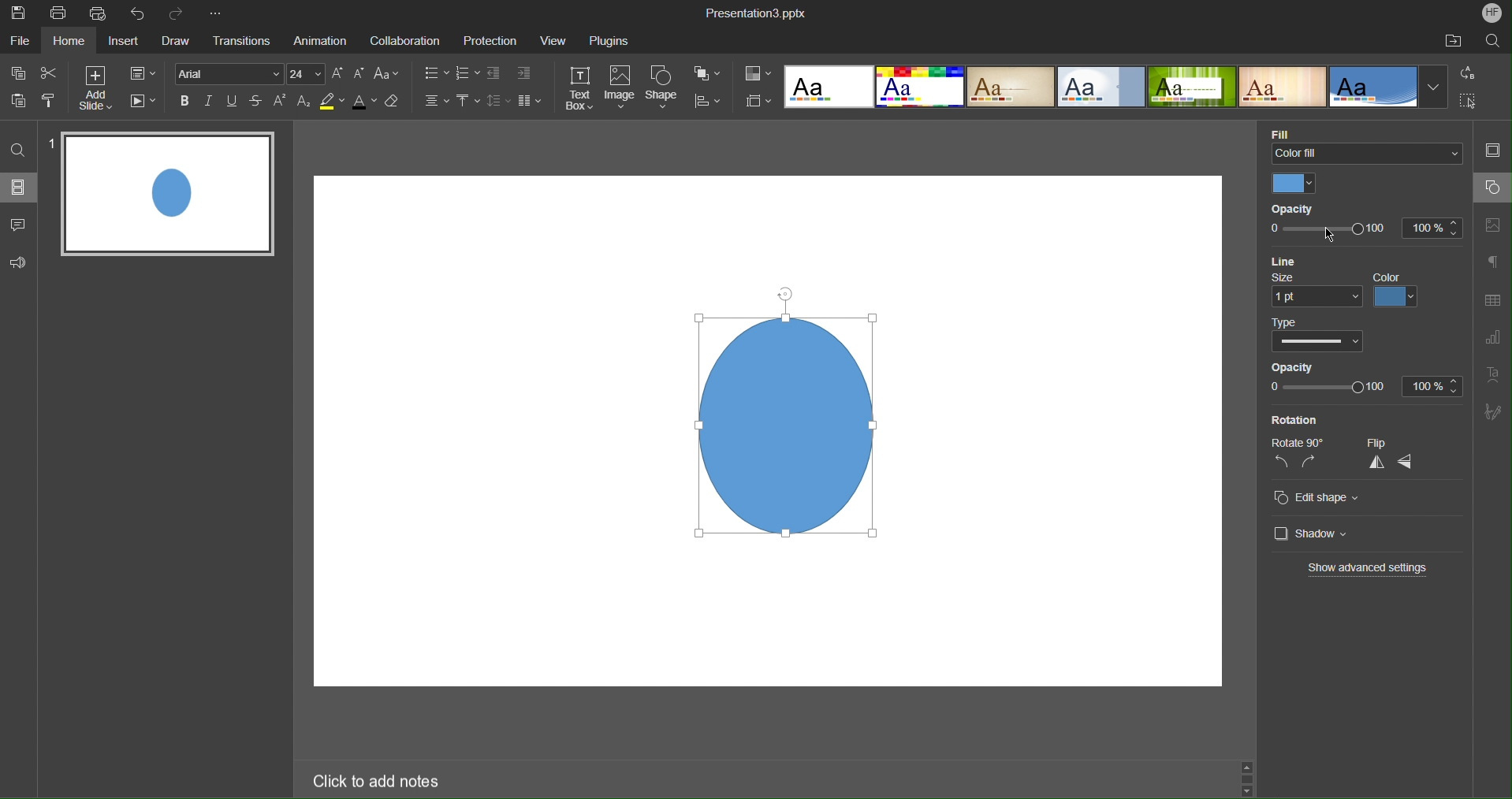 This screenshot has width=1512, height=799. I want to click on Account, so click(1493, 13).